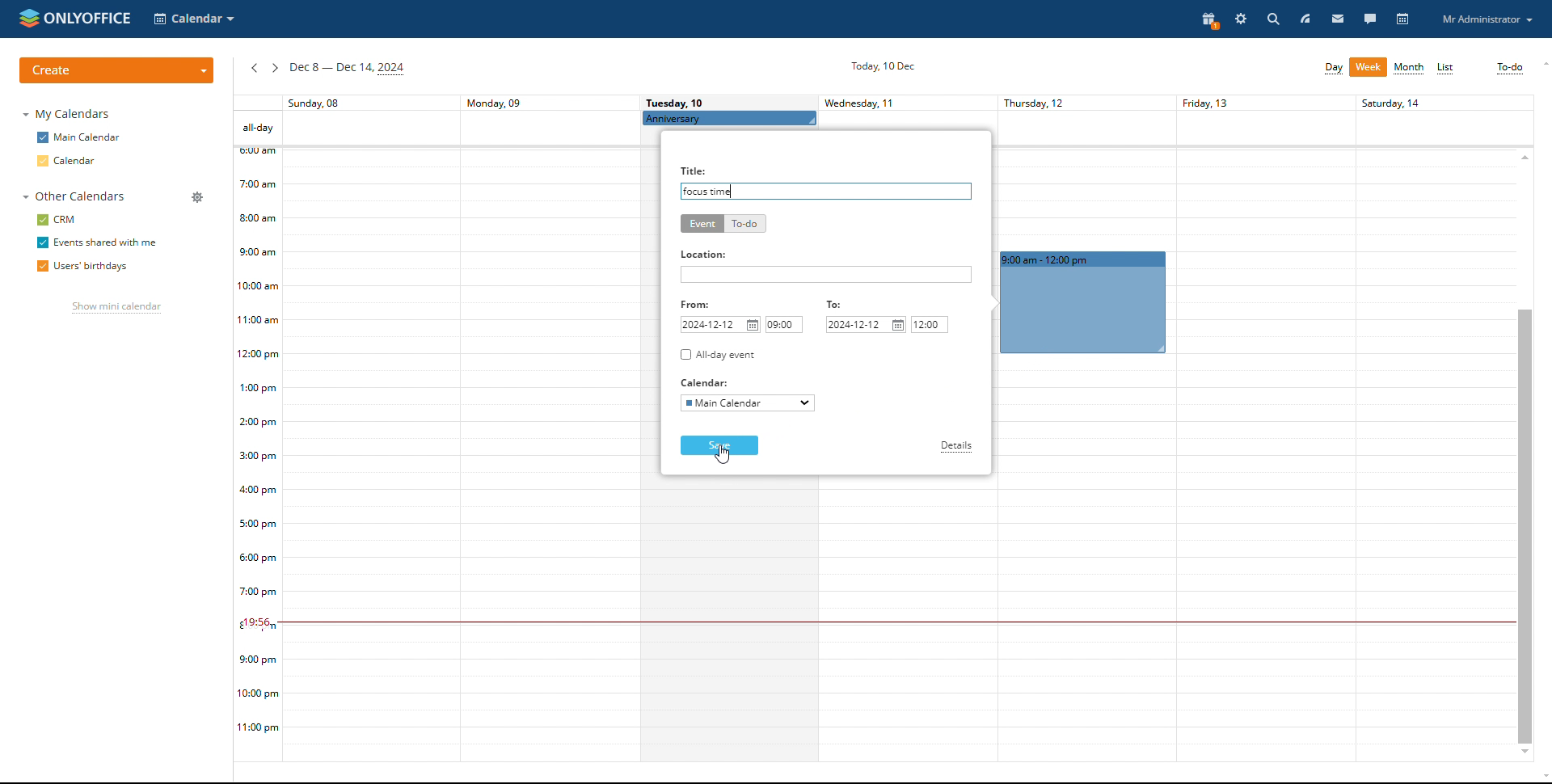 This screenshot has width=1552, height=784. I want to click on current date, so click(879, 67).